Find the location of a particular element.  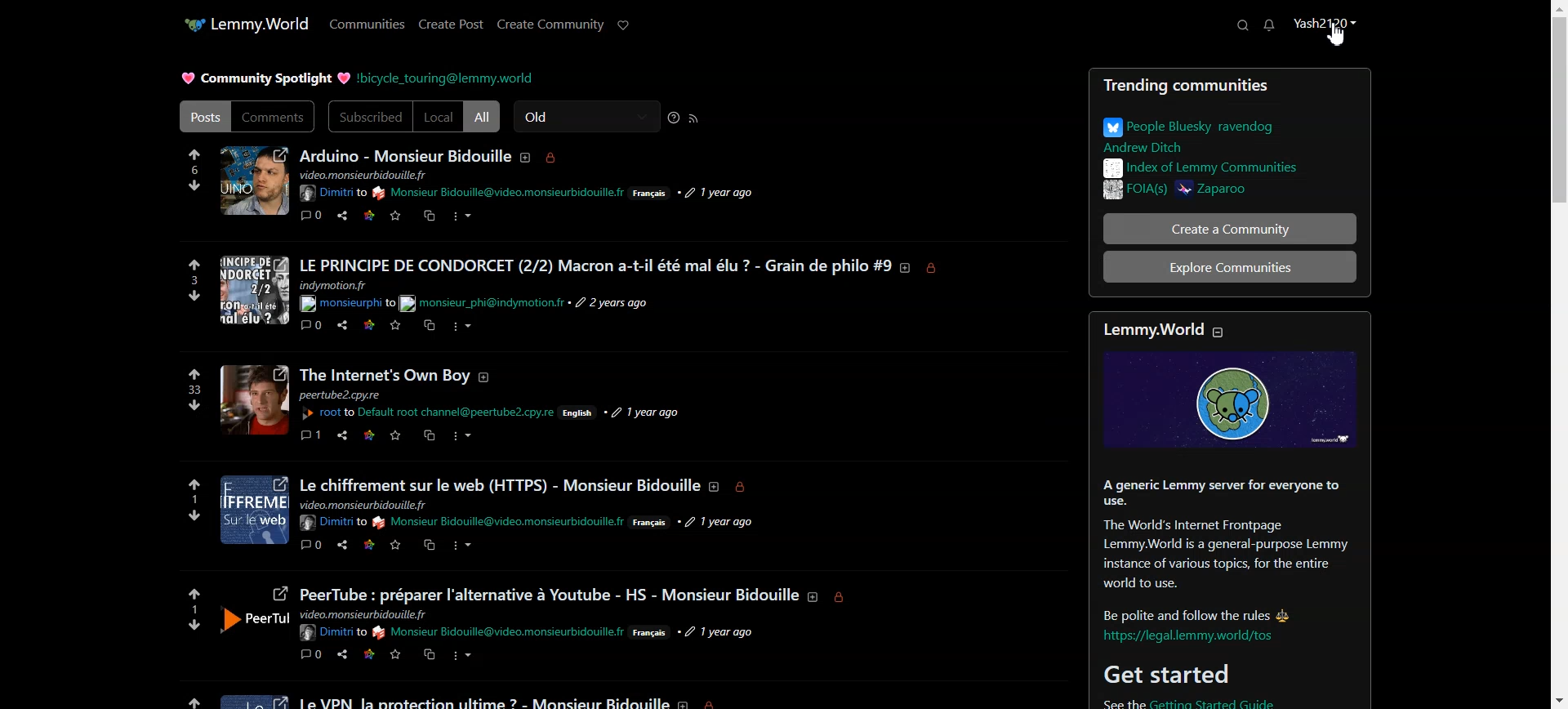

Text is located at coordinates (407, 155).